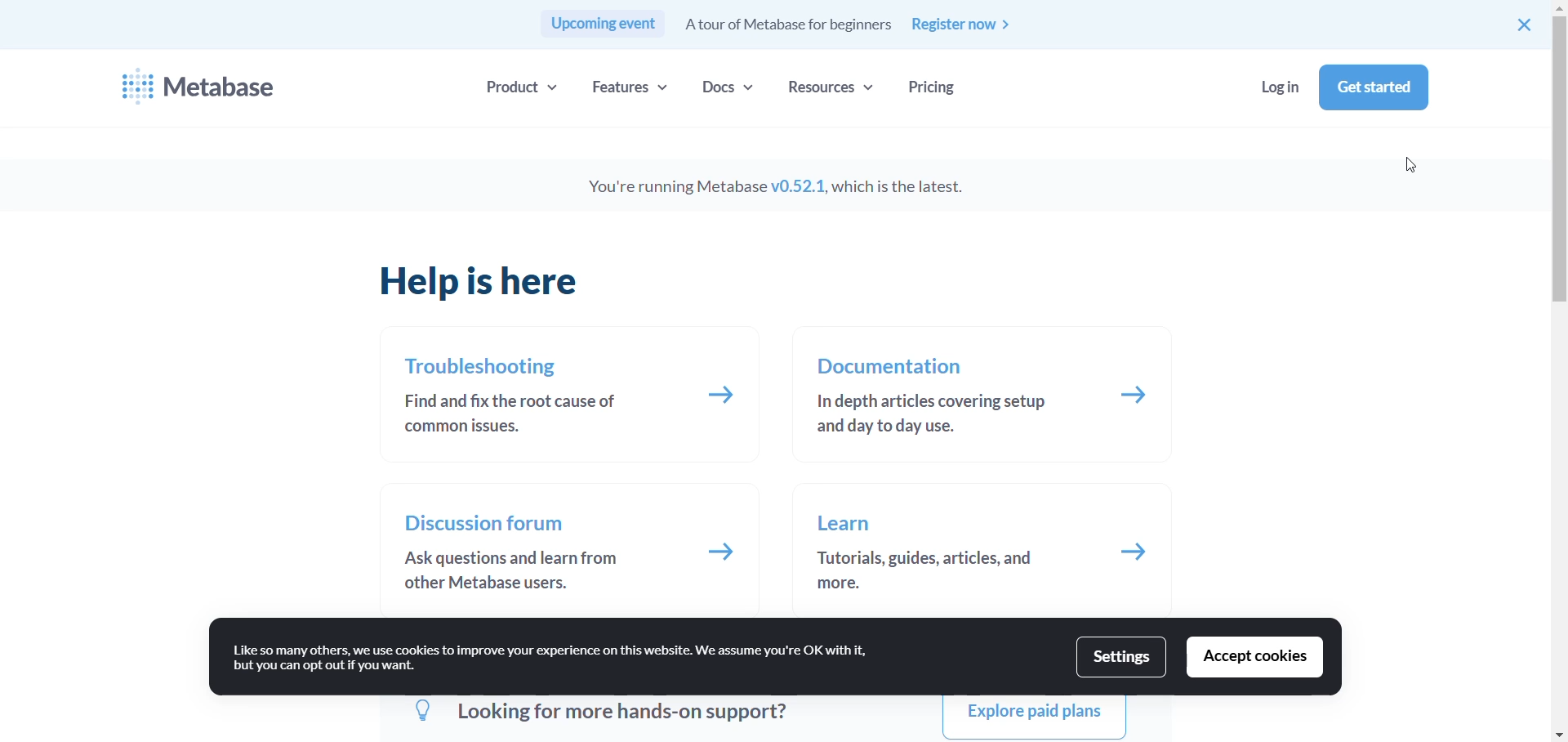 The image size is (1568, 742). I want to click on Like so many others, we use cookies to improve your experience on this website. We assume you're OK with it,
but you can opt out if you want., so click(560, 654).